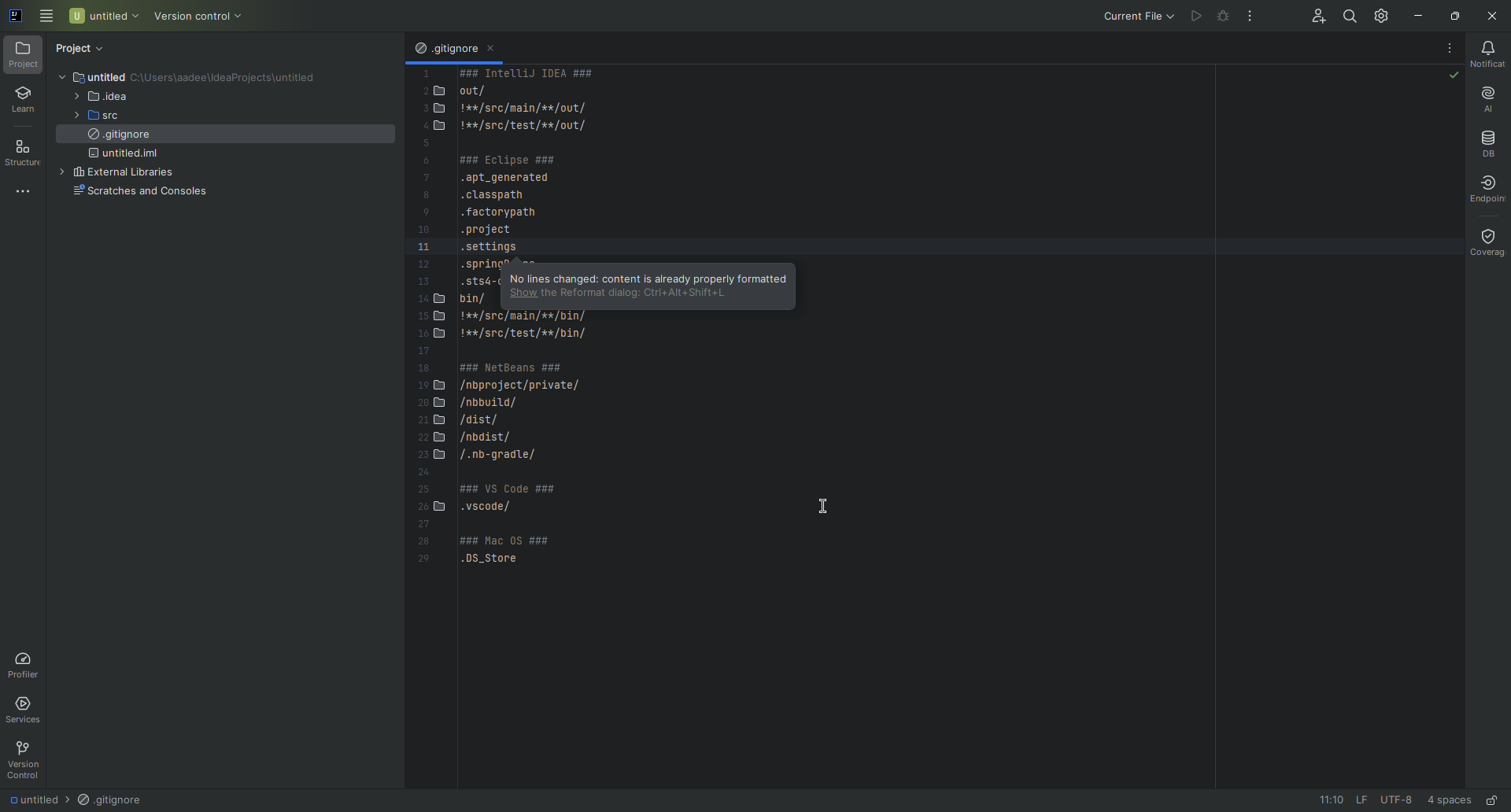  I want to click on Version control, so click(201, 15).